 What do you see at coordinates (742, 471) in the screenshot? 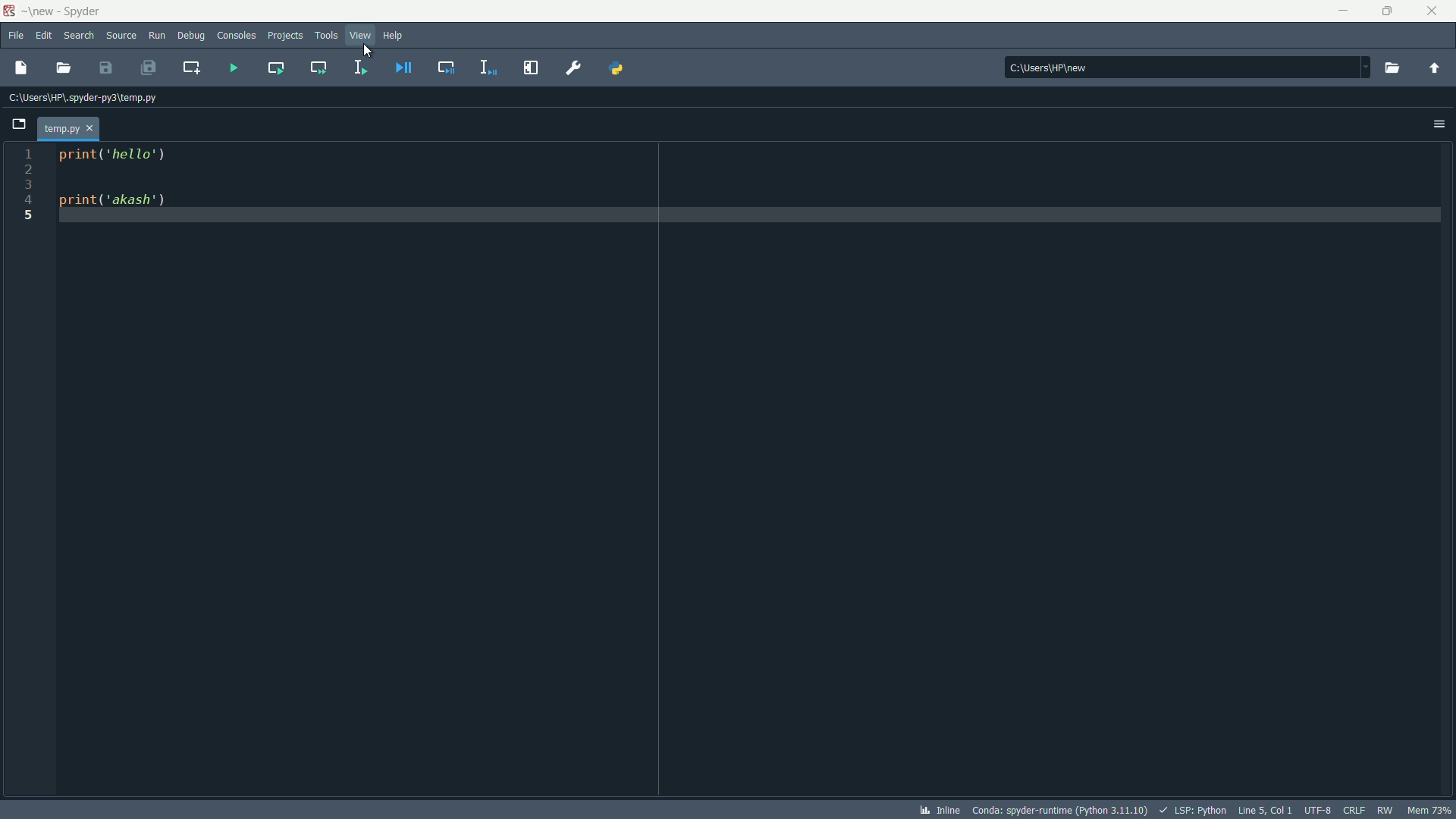
I see `print('hello')  print('akash')` at bounding box center [742, 471].